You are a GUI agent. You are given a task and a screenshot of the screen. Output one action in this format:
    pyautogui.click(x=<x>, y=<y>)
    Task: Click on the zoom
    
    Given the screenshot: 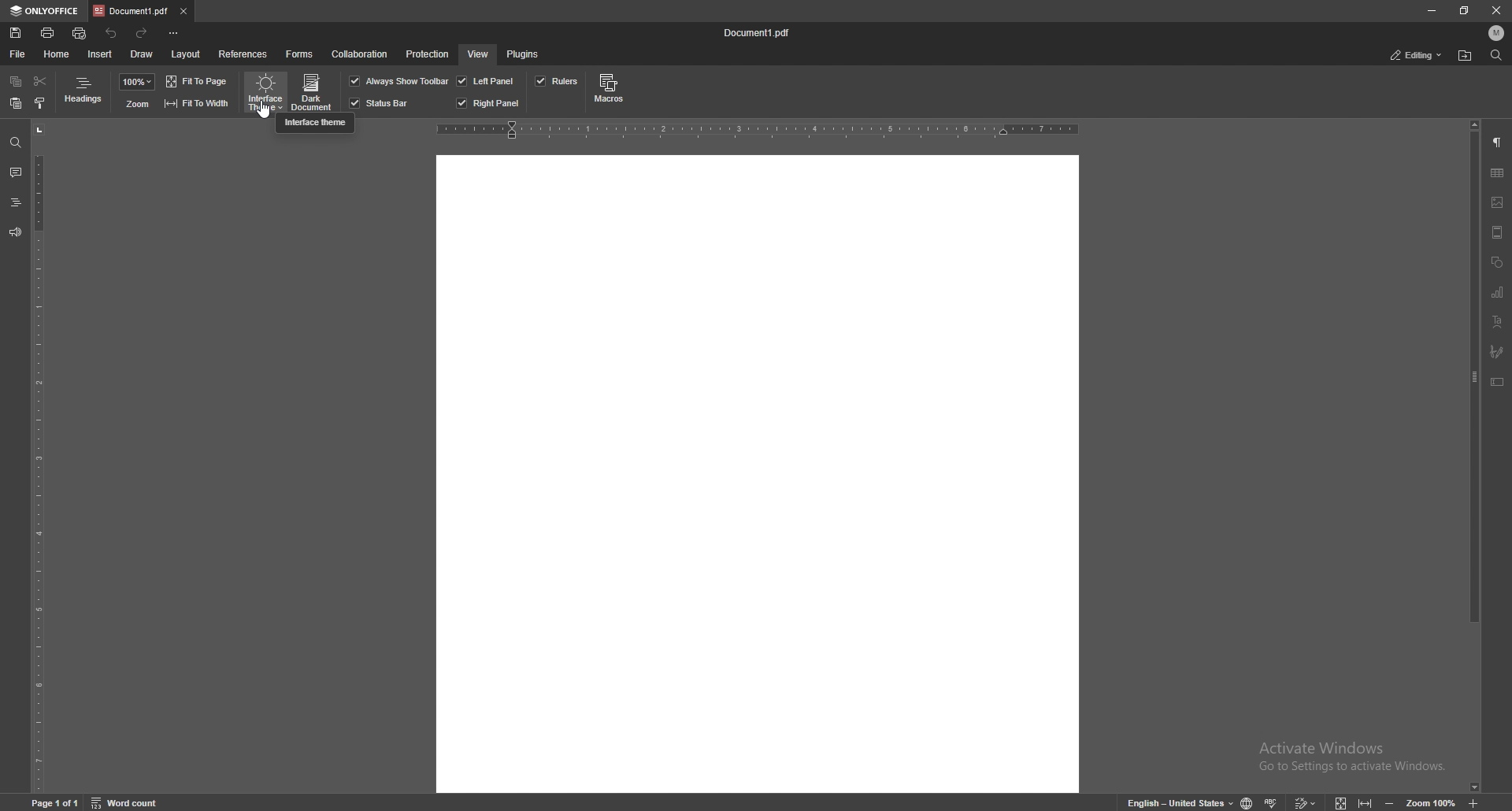 What is the action you would take?
    pyautogui.click(x=137, y=105)
    